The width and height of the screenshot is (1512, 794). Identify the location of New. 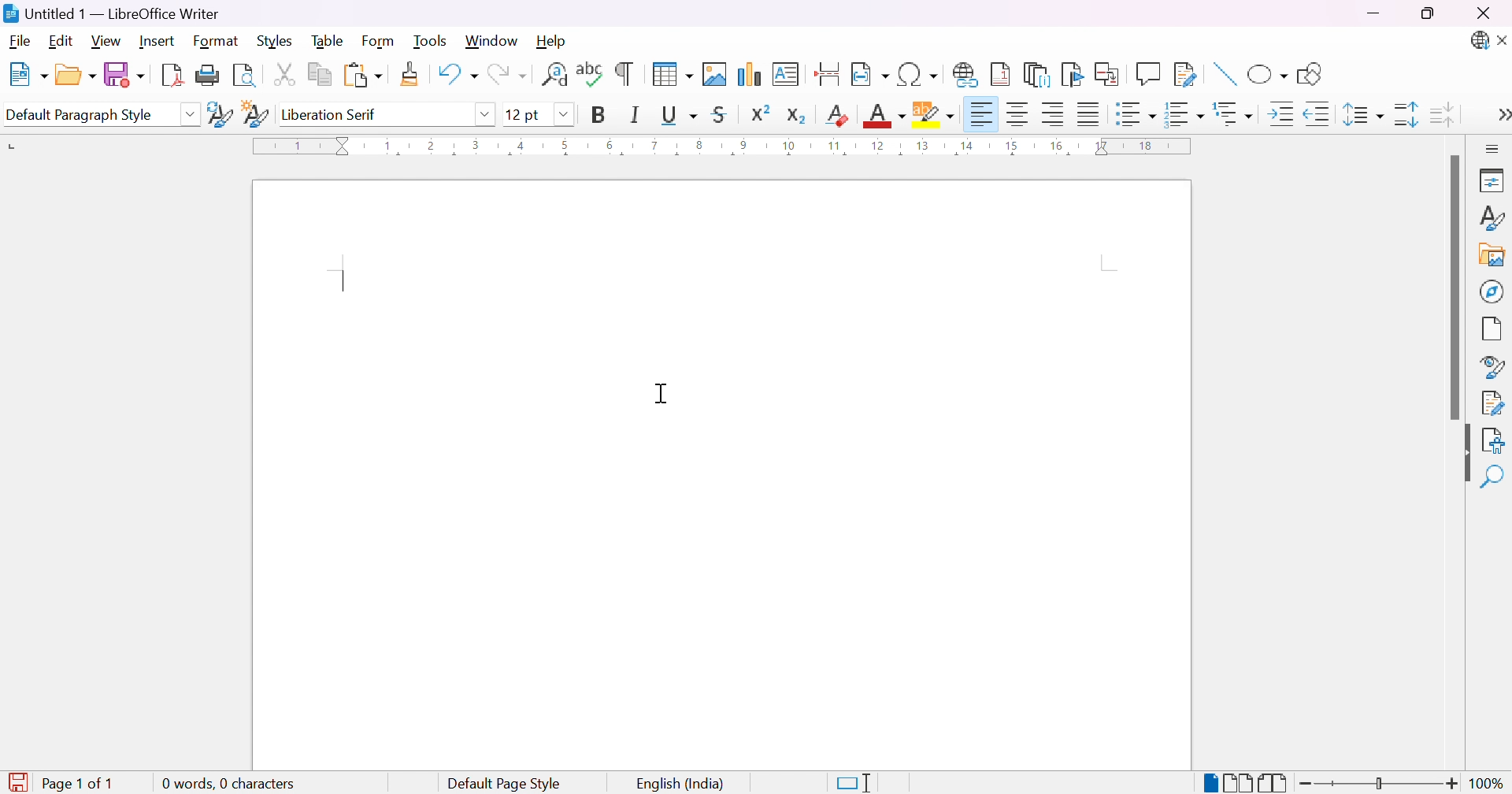
(27, 76).